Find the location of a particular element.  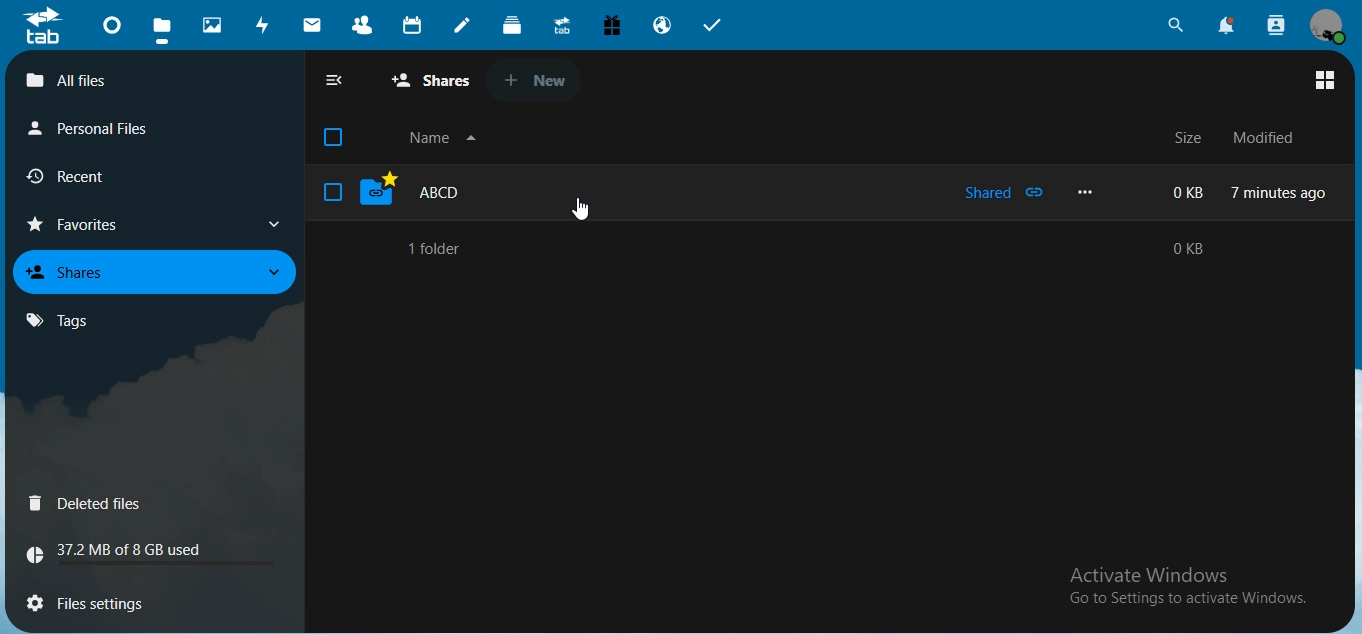

dashboard is located at coordinates (112, 29).